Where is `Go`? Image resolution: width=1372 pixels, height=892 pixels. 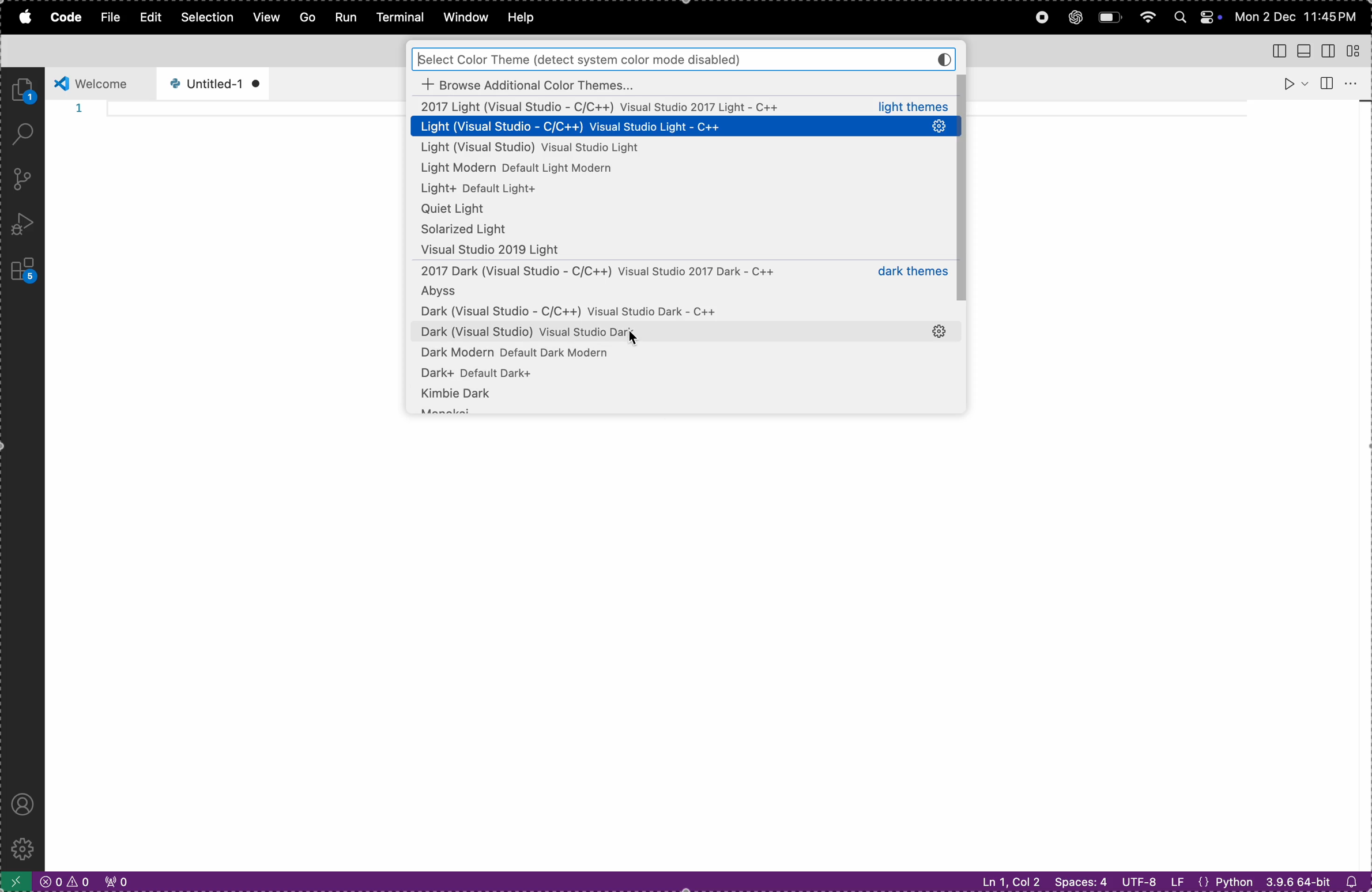
Go is located at coordinates (305, 16).